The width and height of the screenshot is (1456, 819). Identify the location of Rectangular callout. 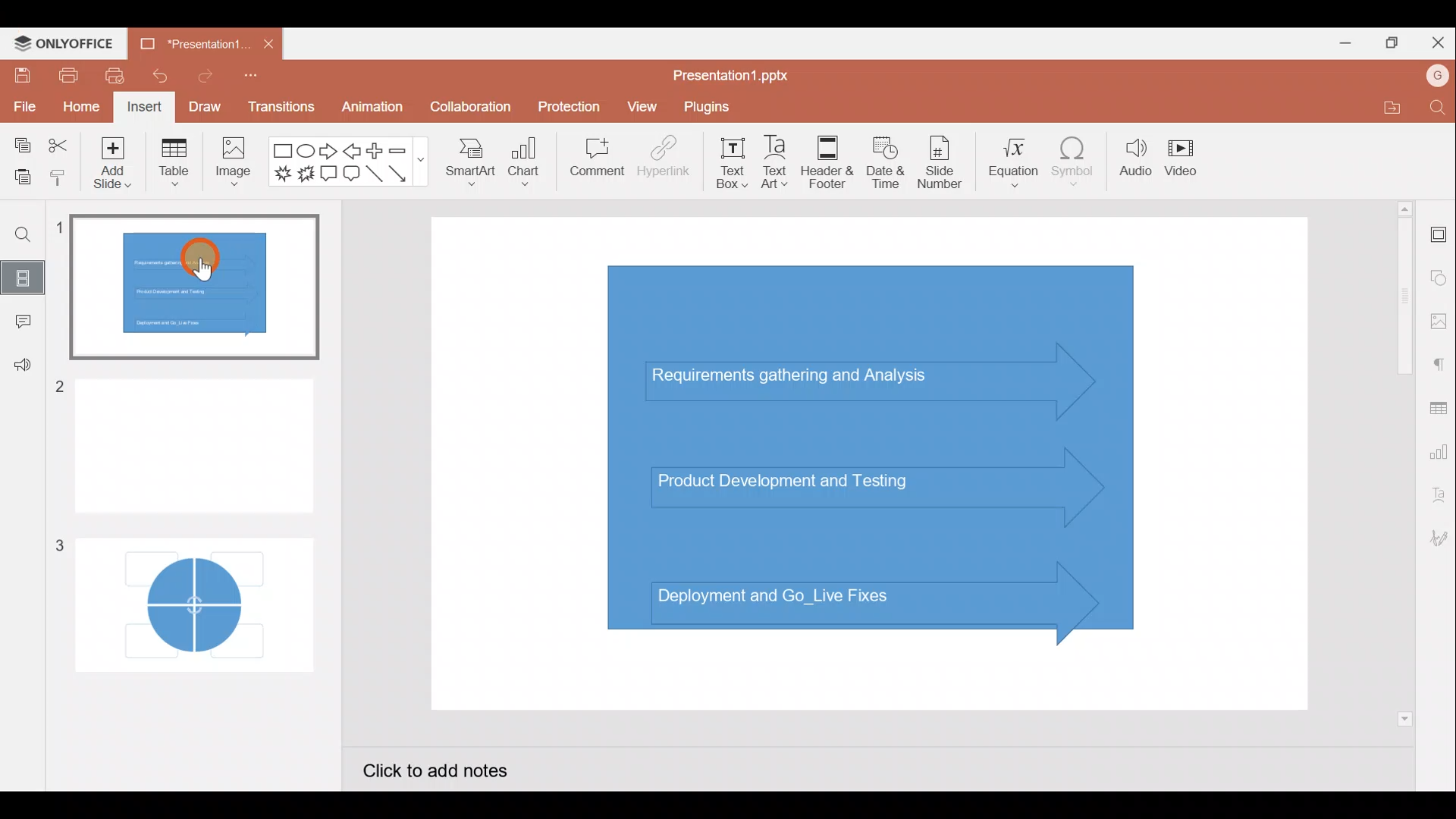
(328, 173).